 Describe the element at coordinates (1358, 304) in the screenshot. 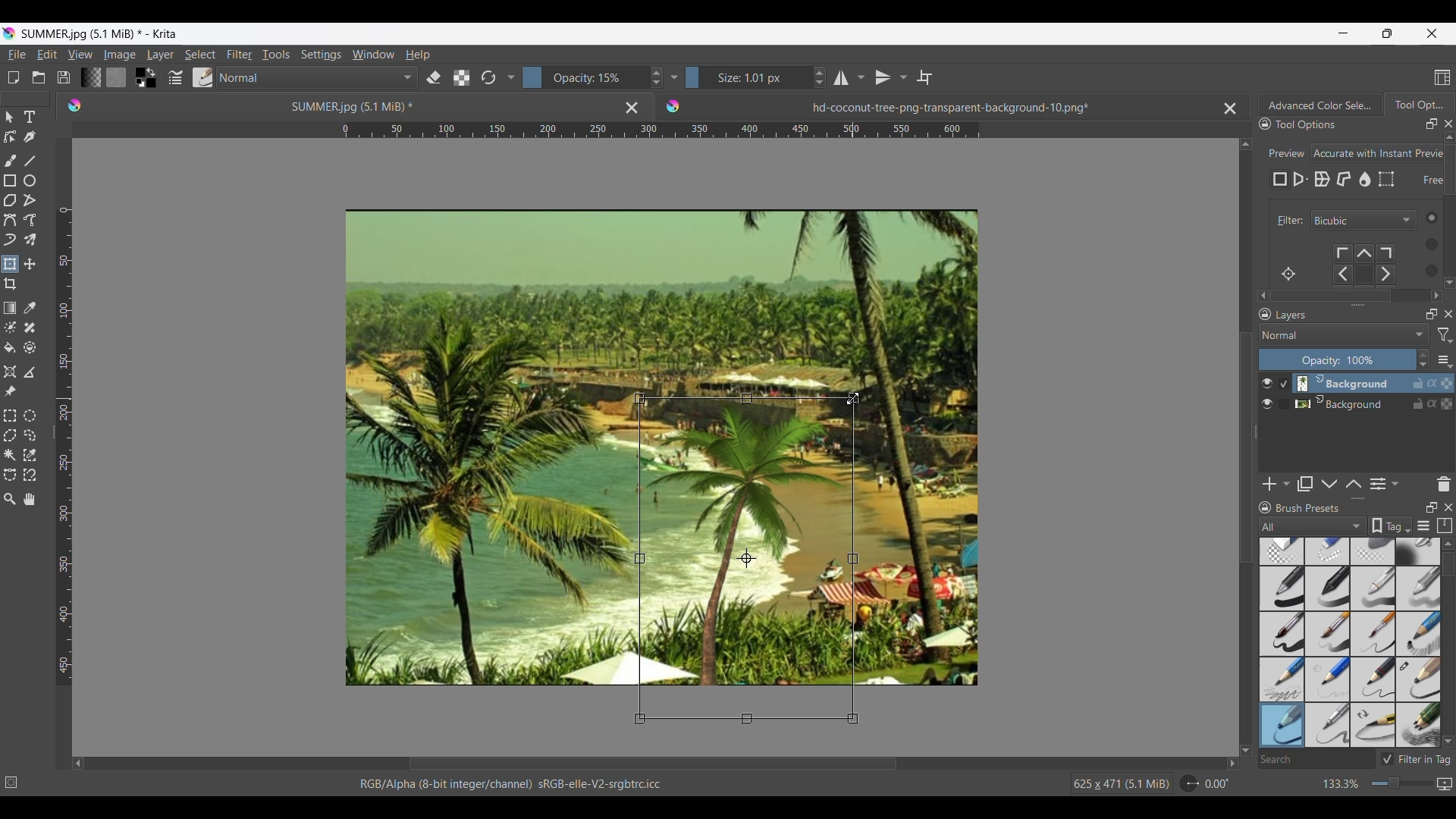

I see `Increase/Decrease width of panels attached to this line` at that location.